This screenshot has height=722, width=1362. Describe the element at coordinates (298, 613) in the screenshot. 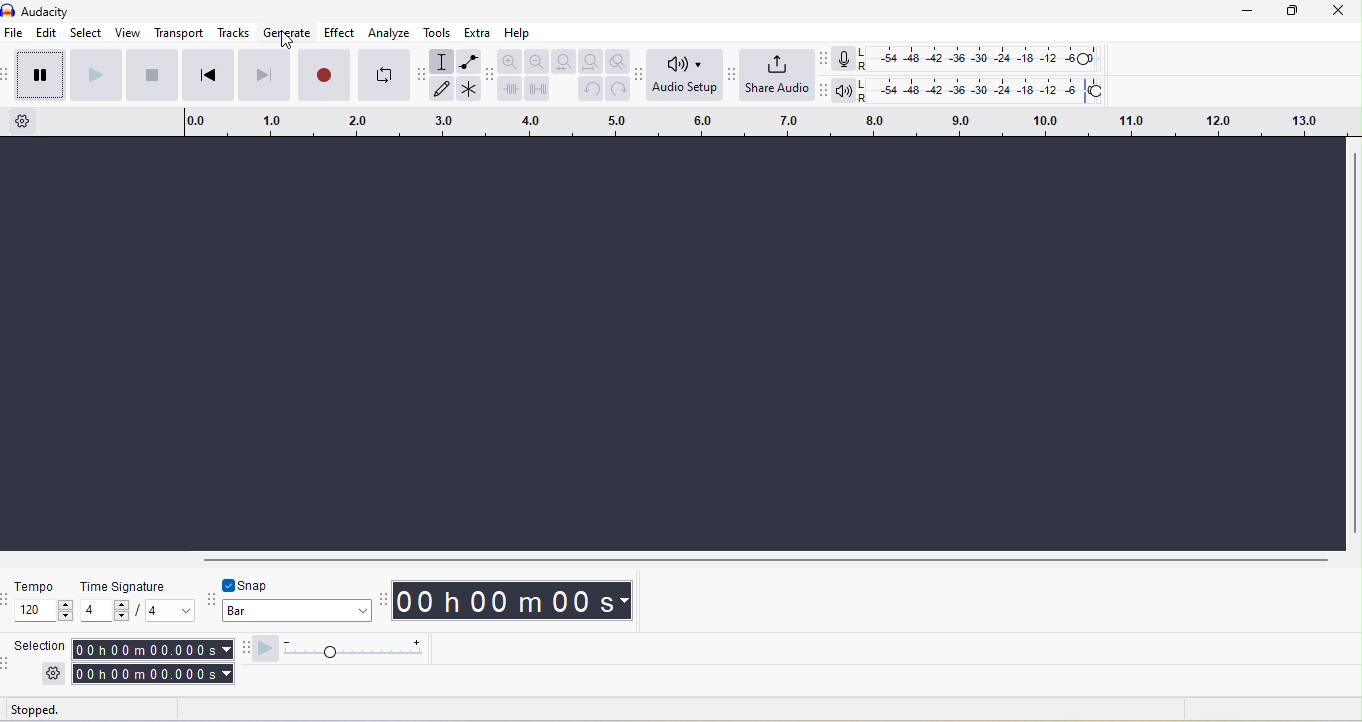

I see `bar` at that location.